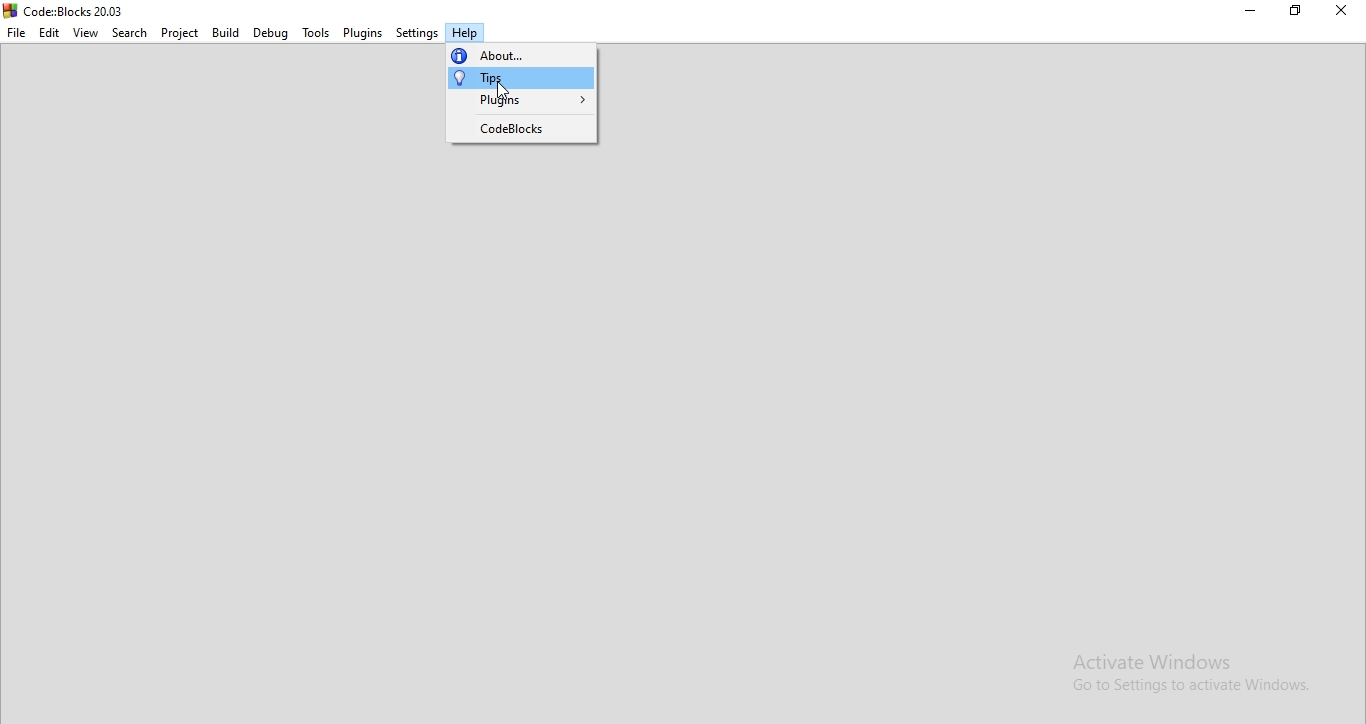 The height and width of the screenshot is (724, 1366). I want to click on Settings , so click(414, 32).